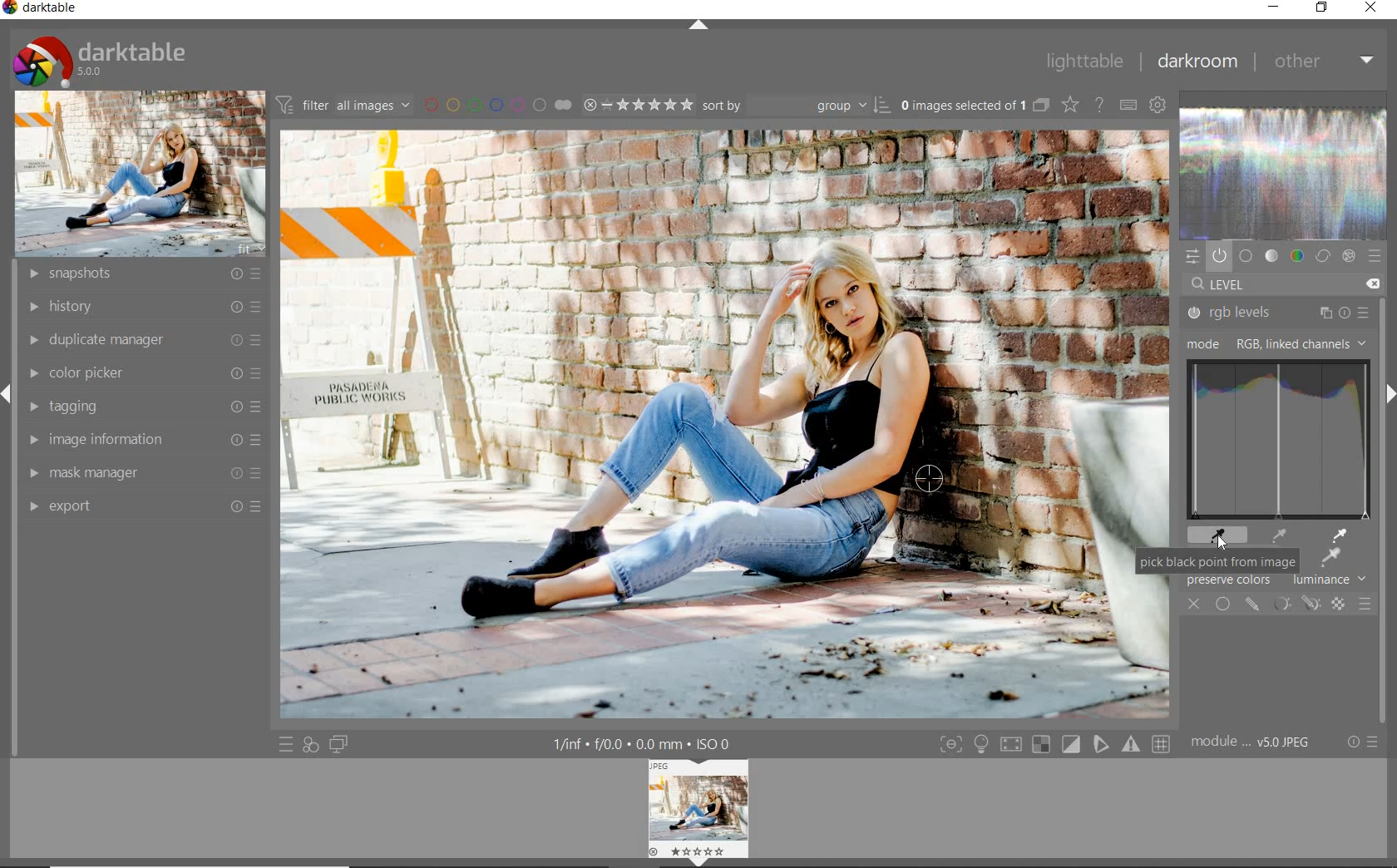  What do you see at coordinates (560, 423) in the screenshot?
I see `selected image` at bounding box center [560, 423].